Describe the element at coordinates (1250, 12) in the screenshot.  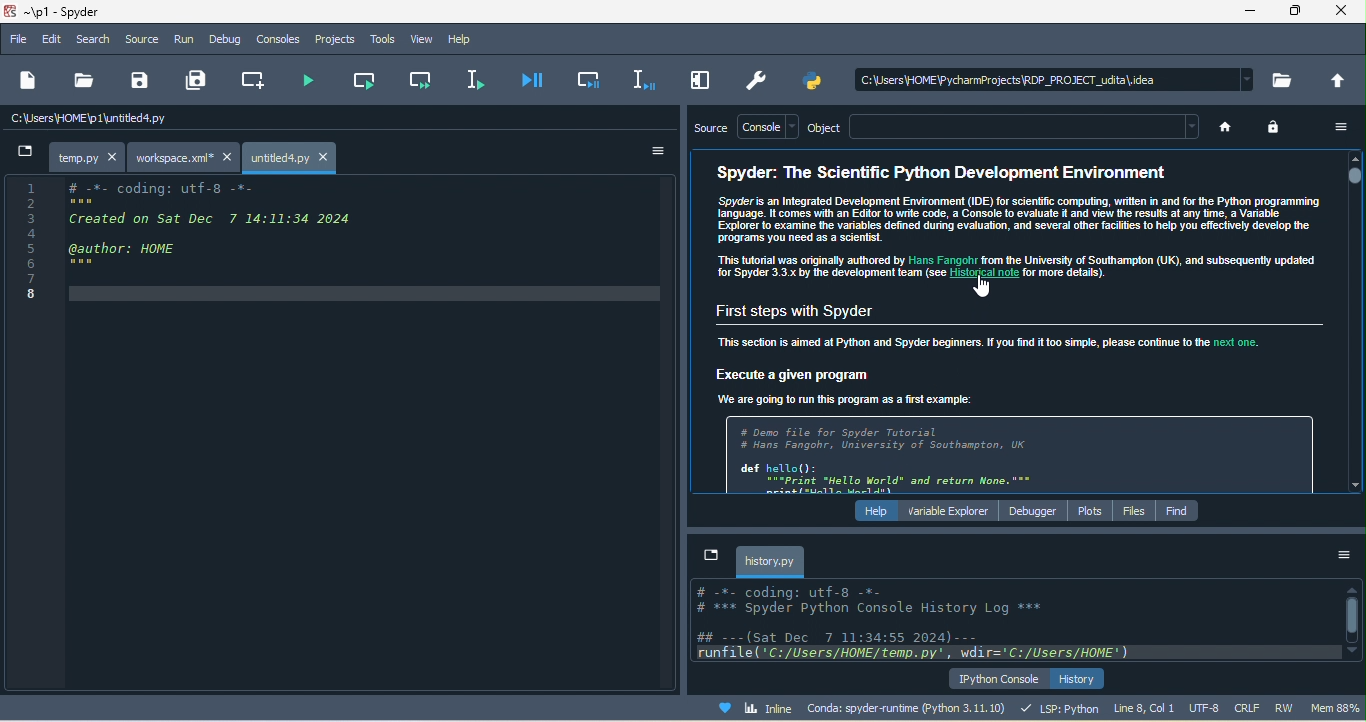
I see `minimize` at that location.